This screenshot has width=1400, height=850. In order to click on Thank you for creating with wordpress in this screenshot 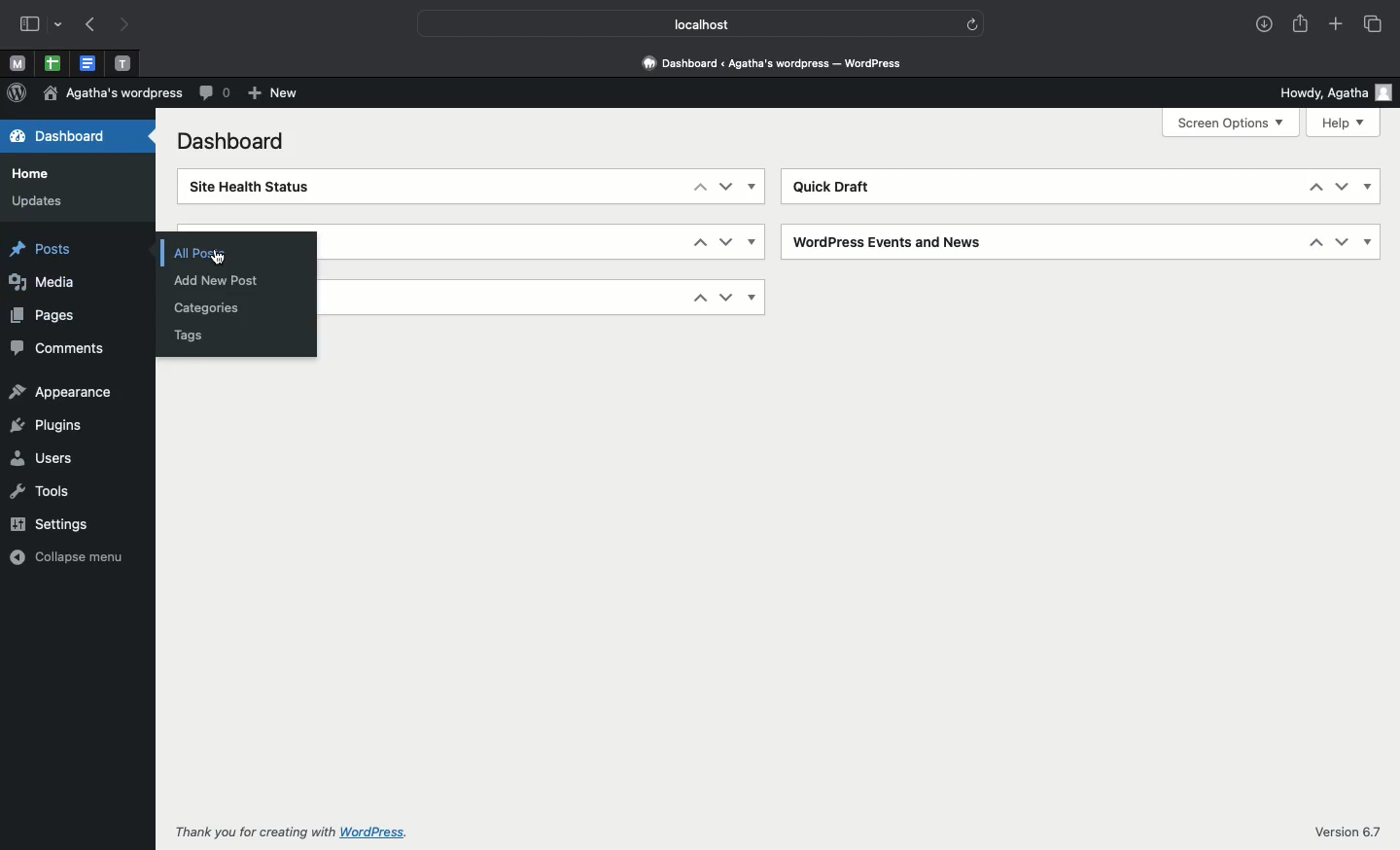, I will do `click(297, 831)`.